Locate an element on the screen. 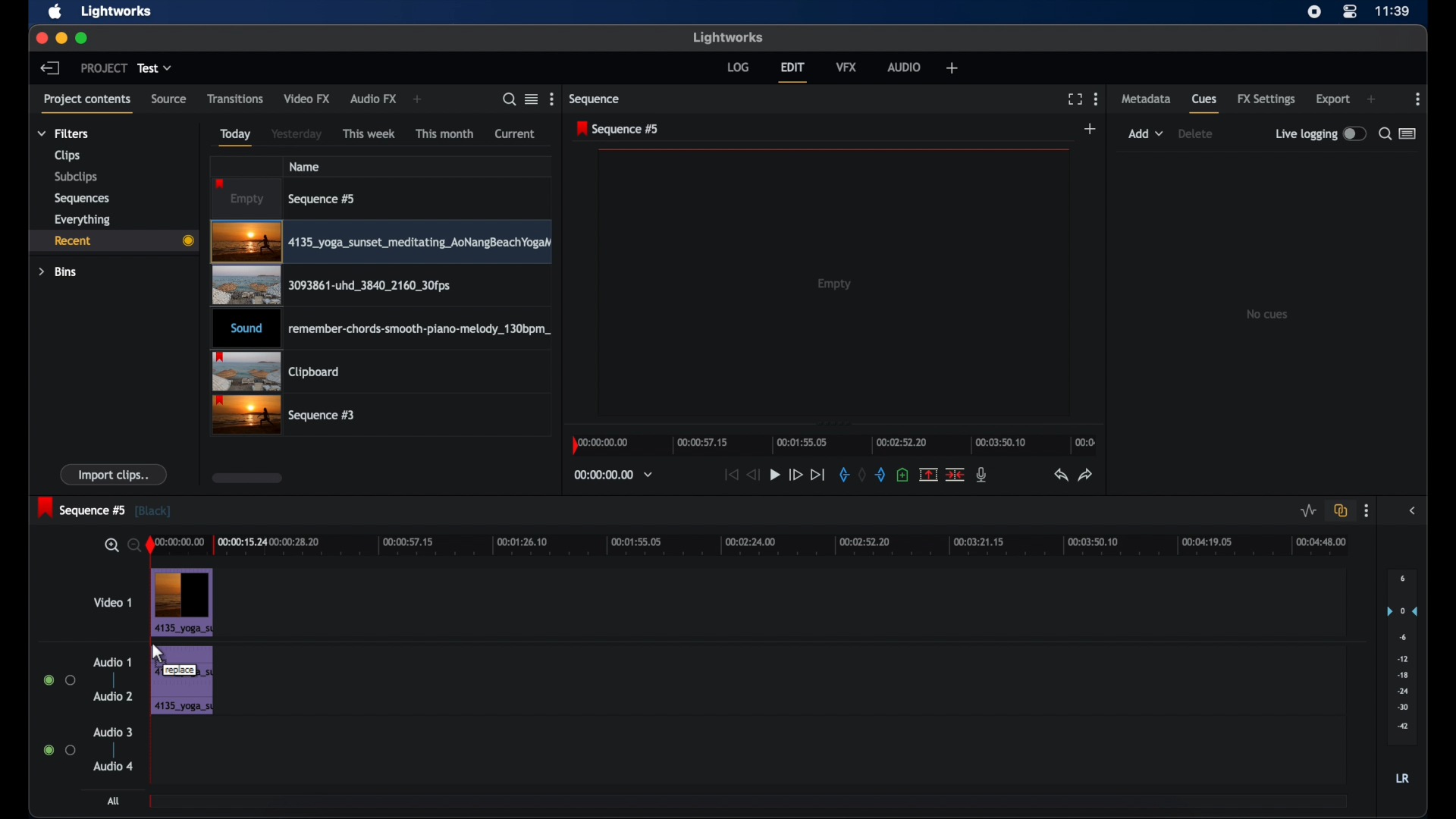 The width and height of the screenshot is (1456, 819). project contents is located at coordinates (87, 104).